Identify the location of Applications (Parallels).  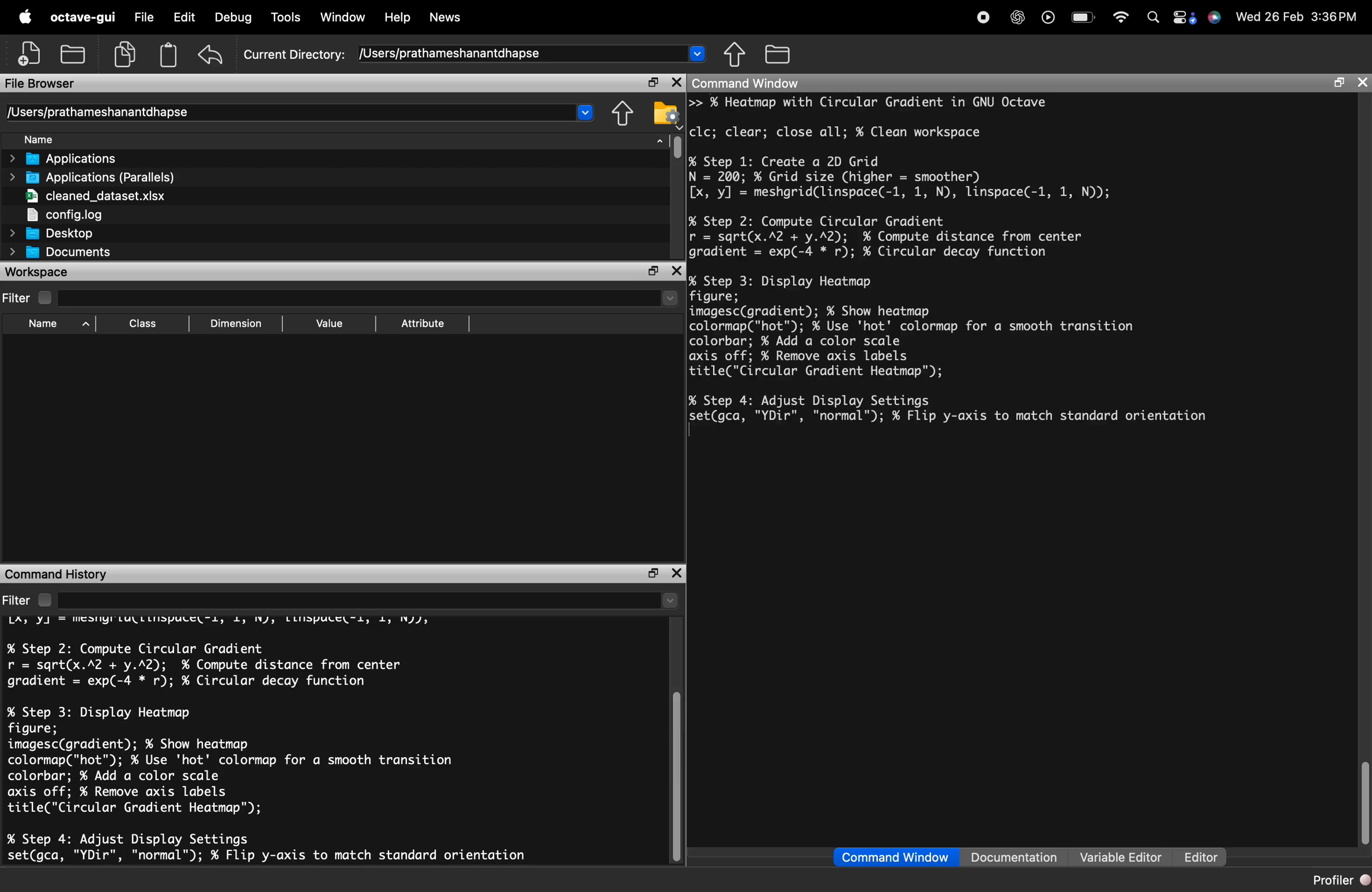
(90, 177).